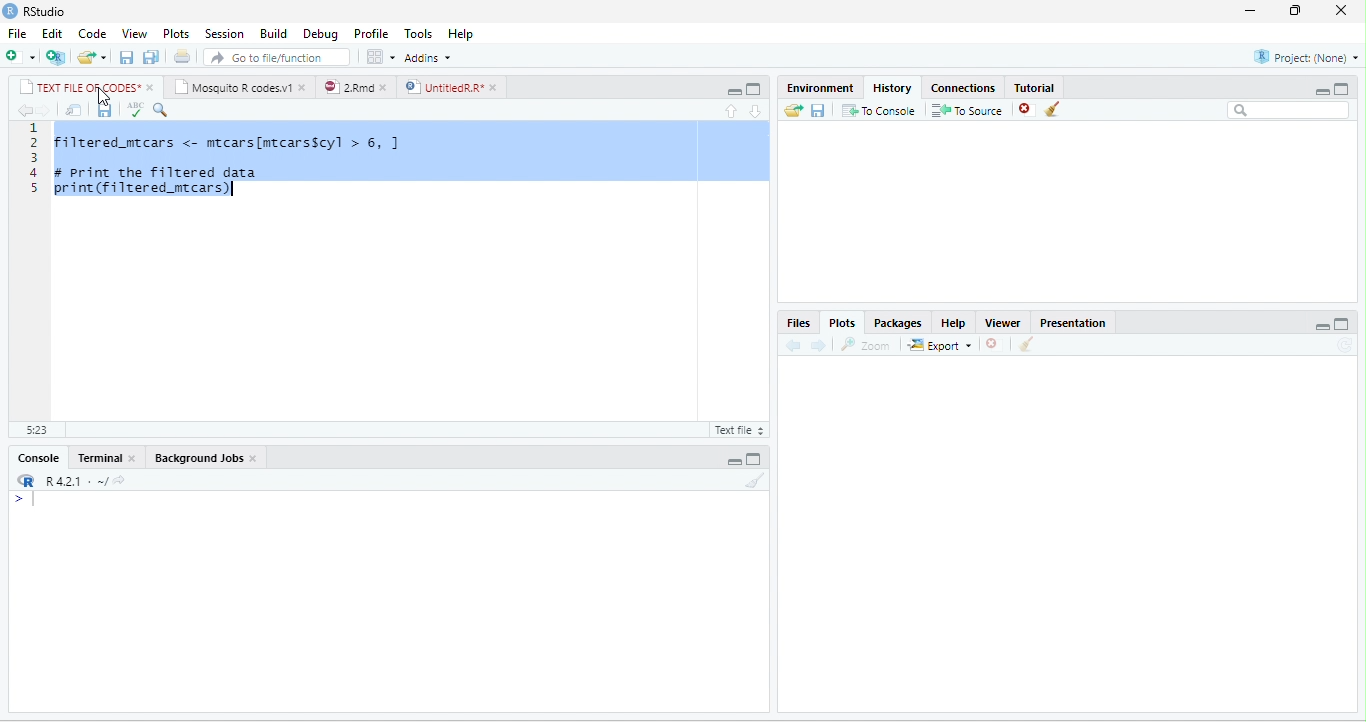 Image resolution: width=1366 pixels, height=722 pixels. I want to click on close file, so click(1028, 110).